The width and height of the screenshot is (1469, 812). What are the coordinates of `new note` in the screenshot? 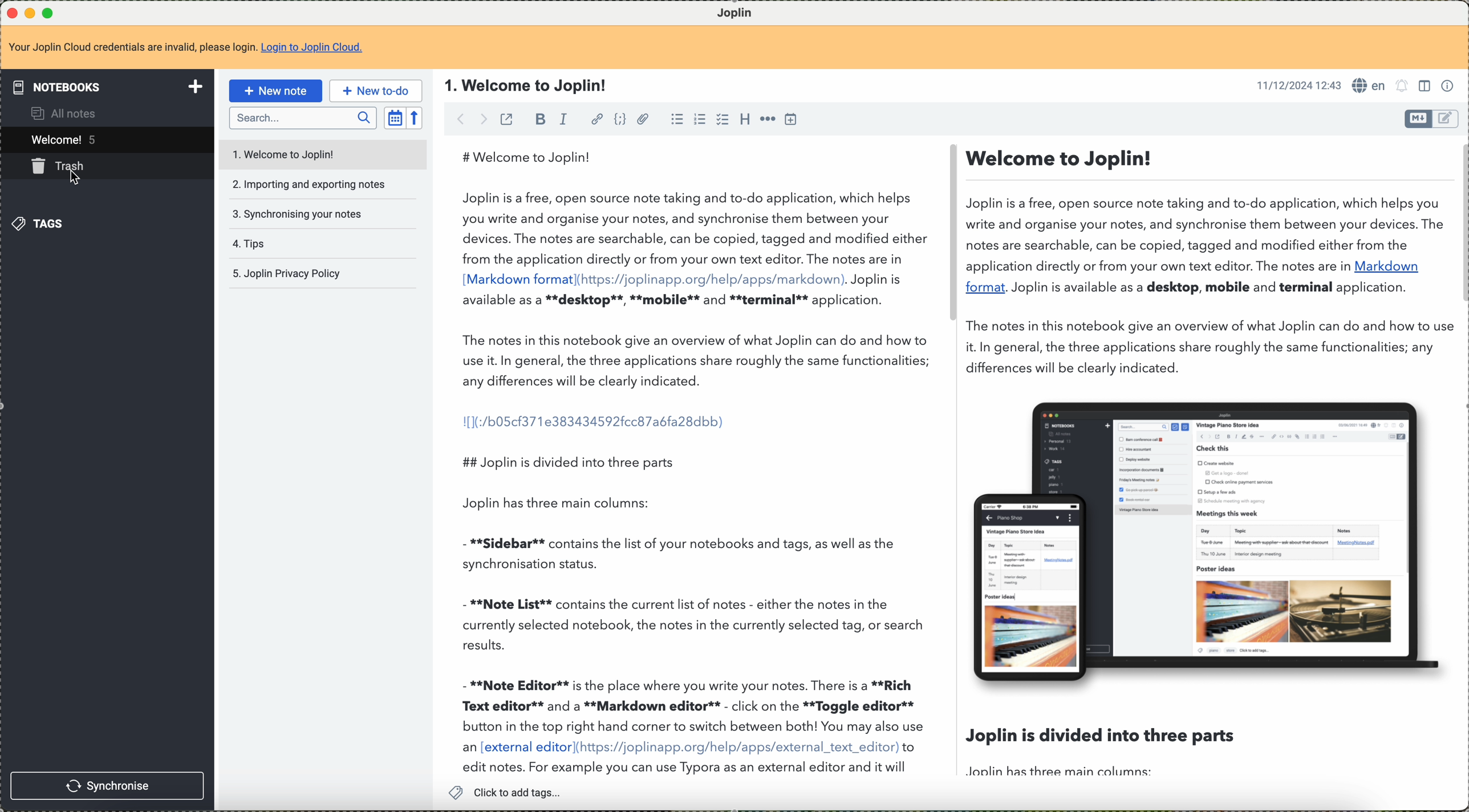 It's located at (274, 90).